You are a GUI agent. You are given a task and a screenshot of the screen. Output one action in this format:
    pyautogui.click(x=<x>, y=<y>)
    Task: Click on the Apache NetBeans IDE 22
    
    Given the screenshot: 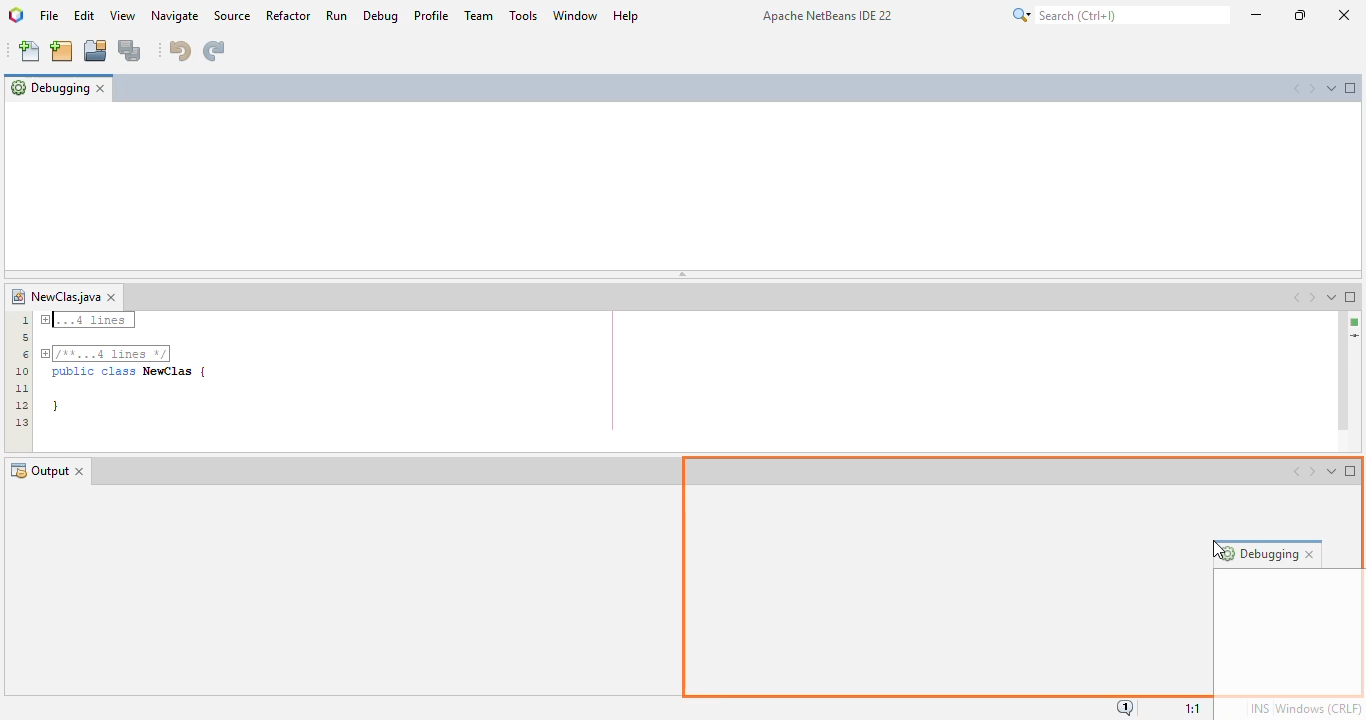 What is the action you would take?
    pyautogui.click(x=826, y=16)
    